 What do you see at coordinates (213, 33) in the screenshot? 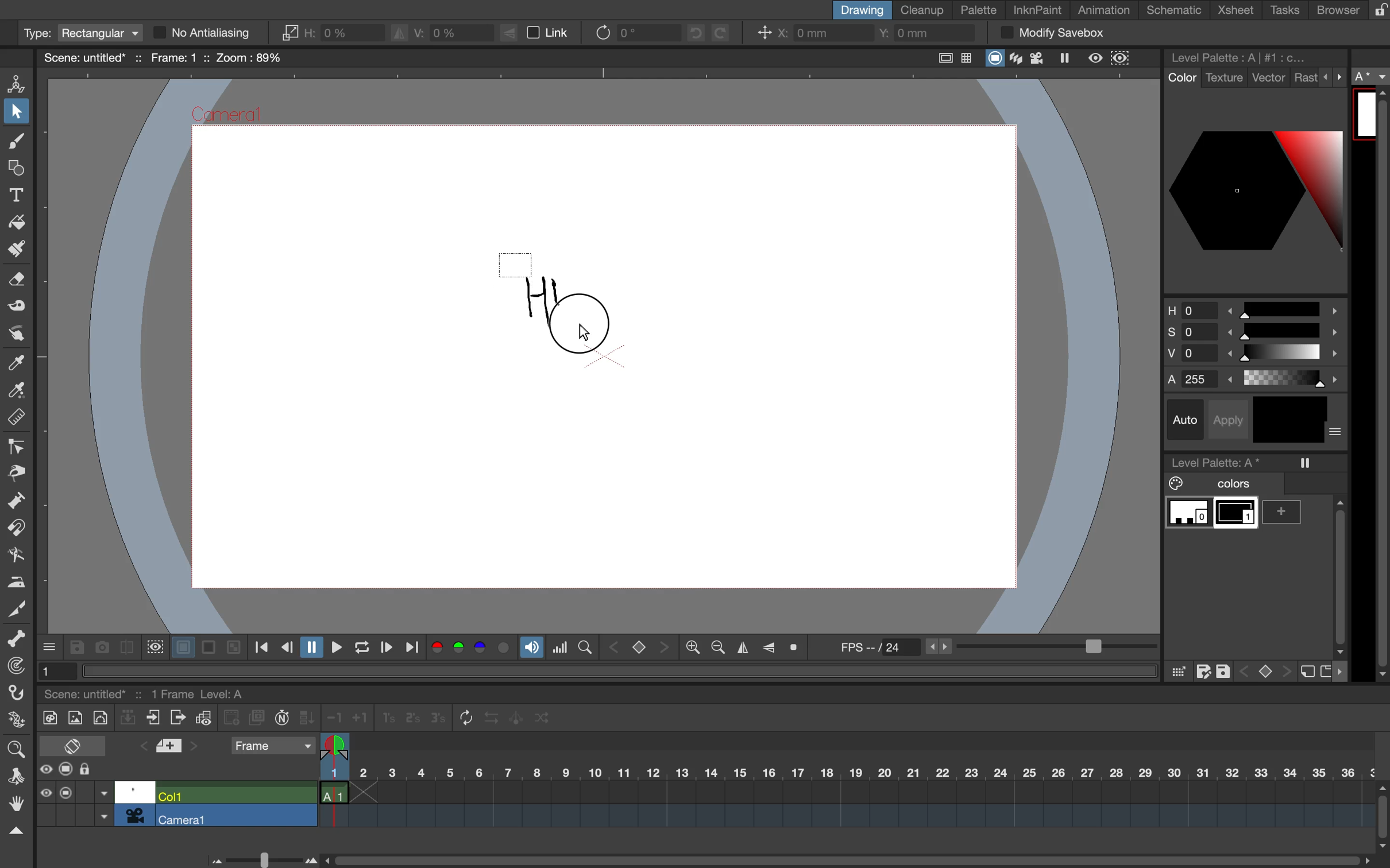
I see `no antialiasing` at bounding box center [213, 33].